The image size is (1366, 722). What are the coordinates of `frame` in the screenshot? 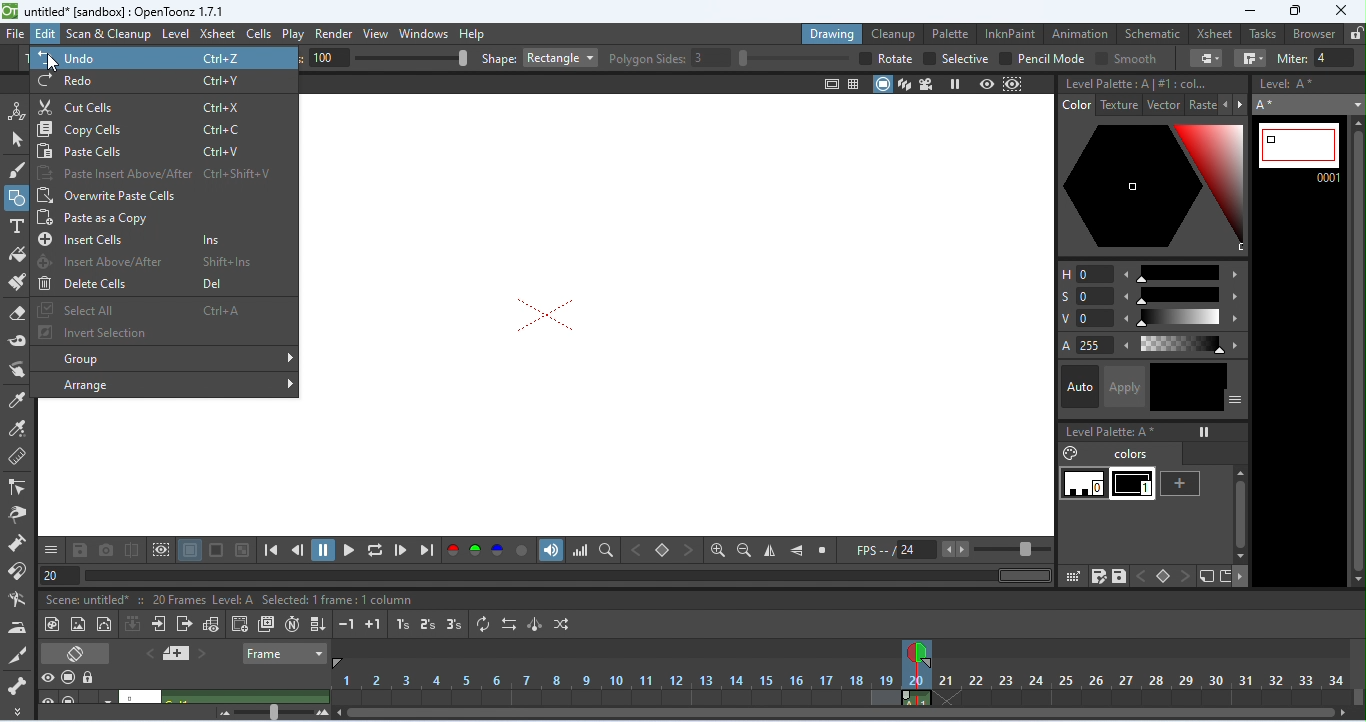 It's located at (282, 655).